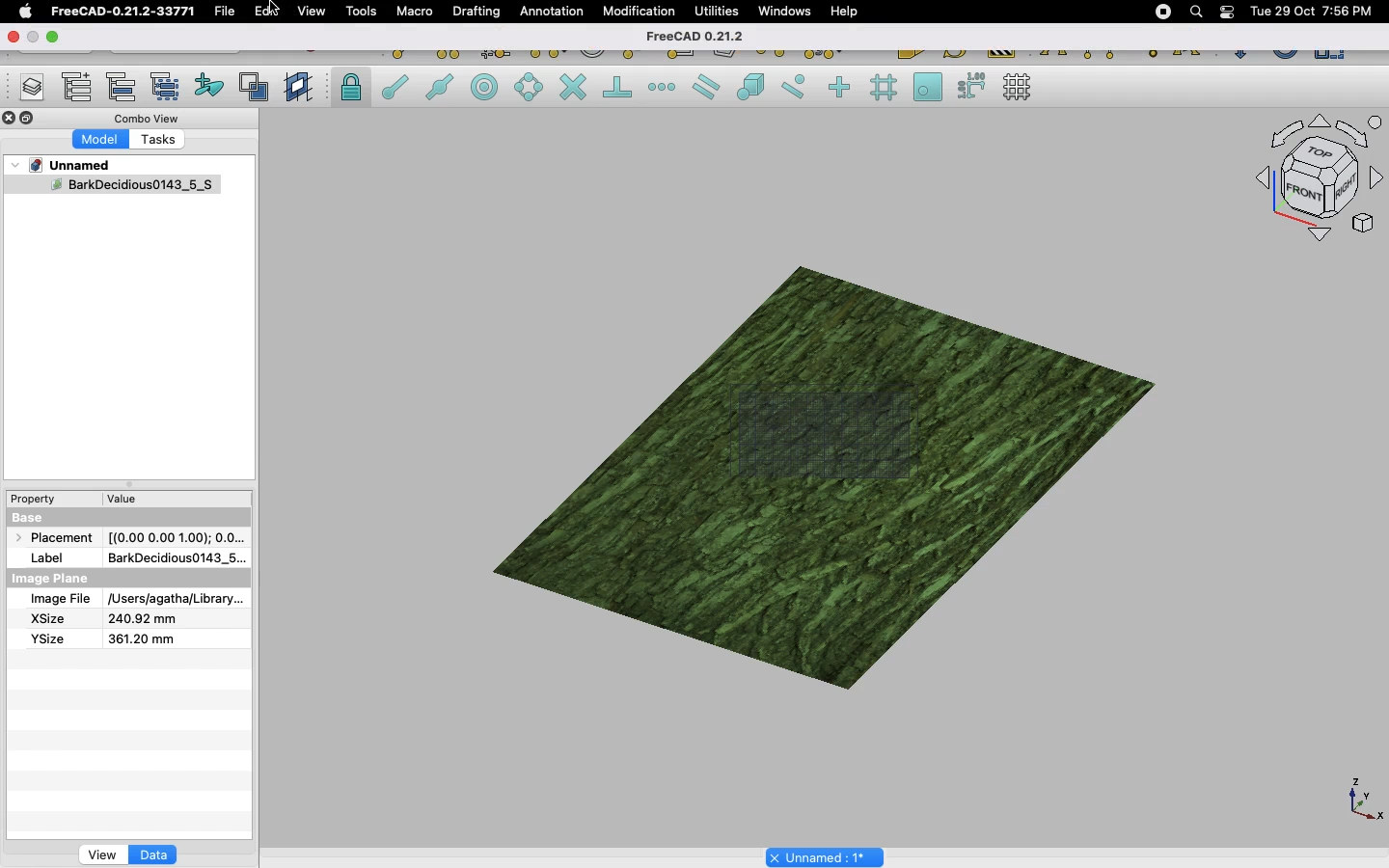  Describe the element at coordinates (844, 11) in the screenshot. I see `Help` at that location.